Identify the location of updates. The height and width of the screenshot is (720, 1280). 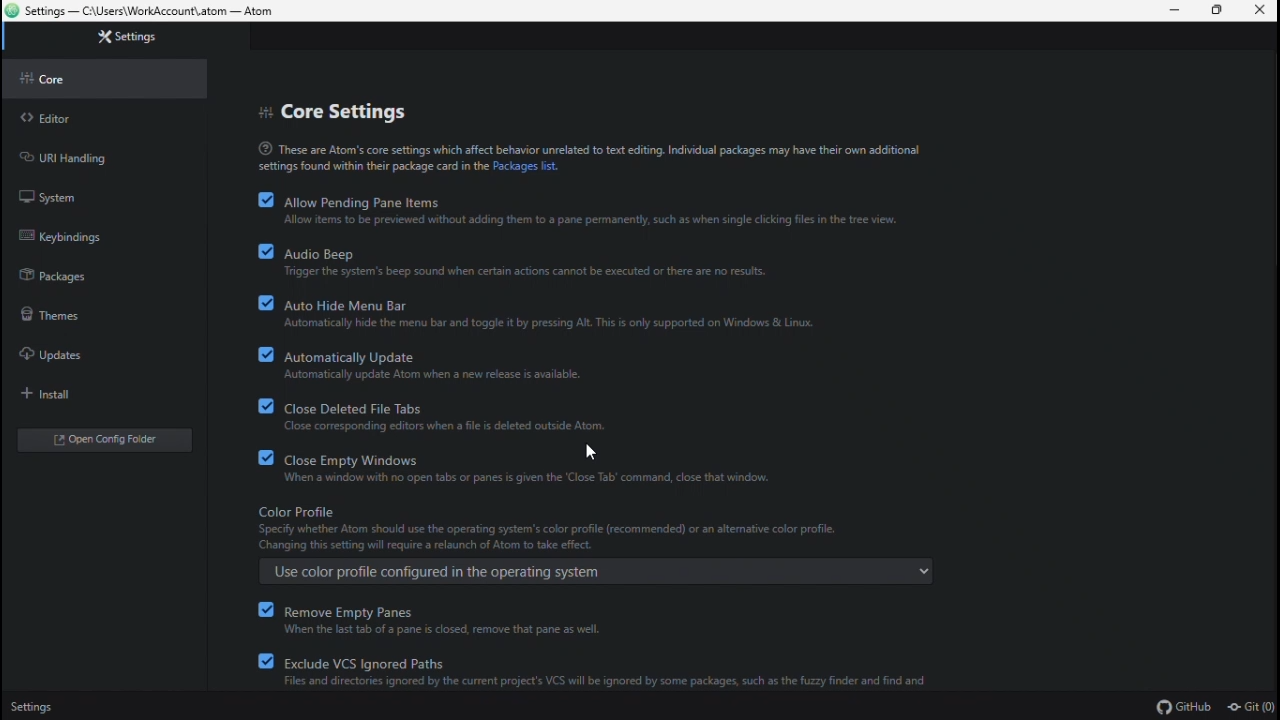
(94, 357).